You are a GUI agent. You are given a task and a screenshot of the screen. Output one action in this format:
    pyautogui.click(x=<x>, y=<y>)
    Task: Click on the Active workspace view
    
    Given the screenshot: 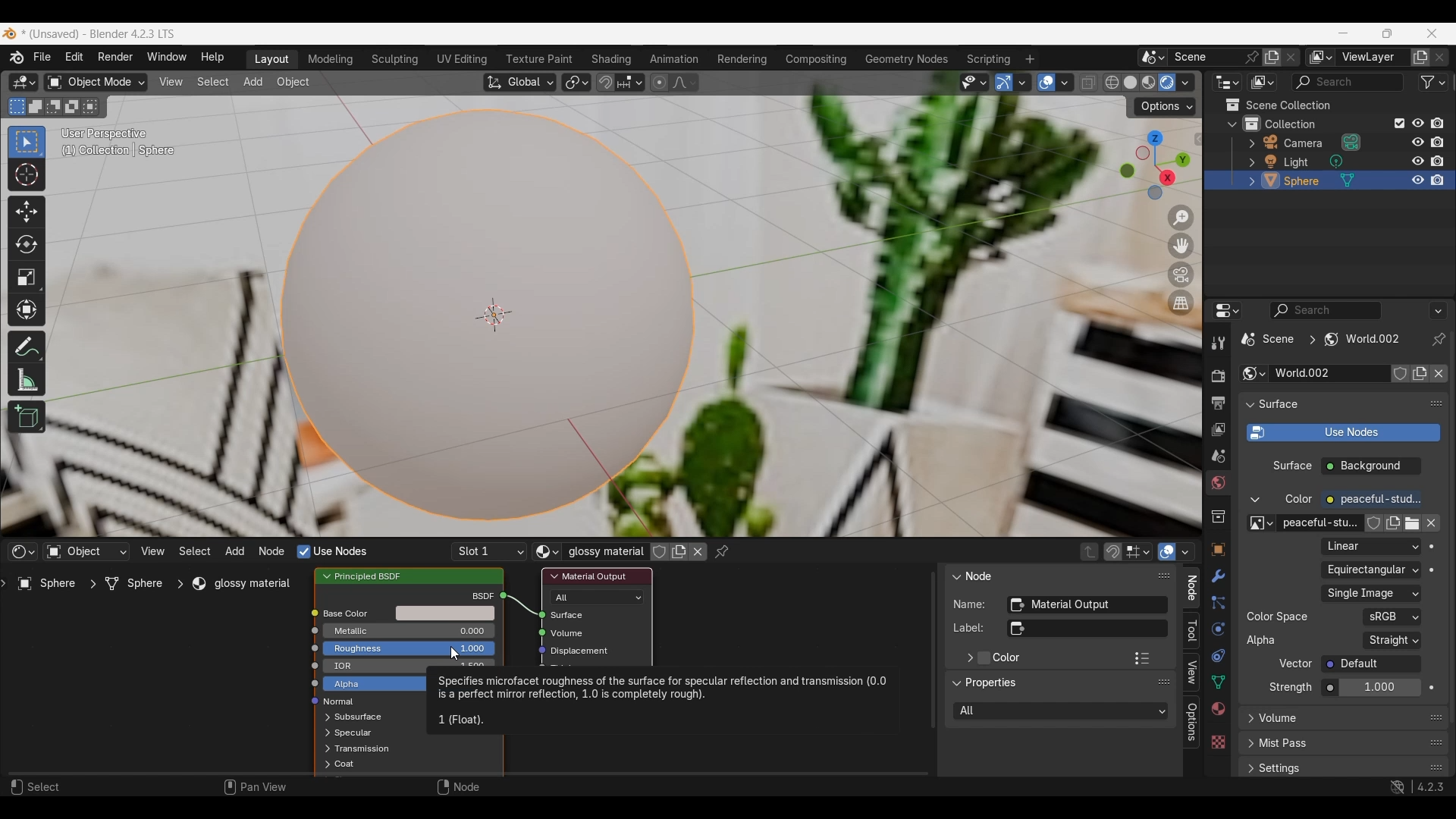 What is the action you would take?
    pyautogui.click(x=1320, y=57)
    